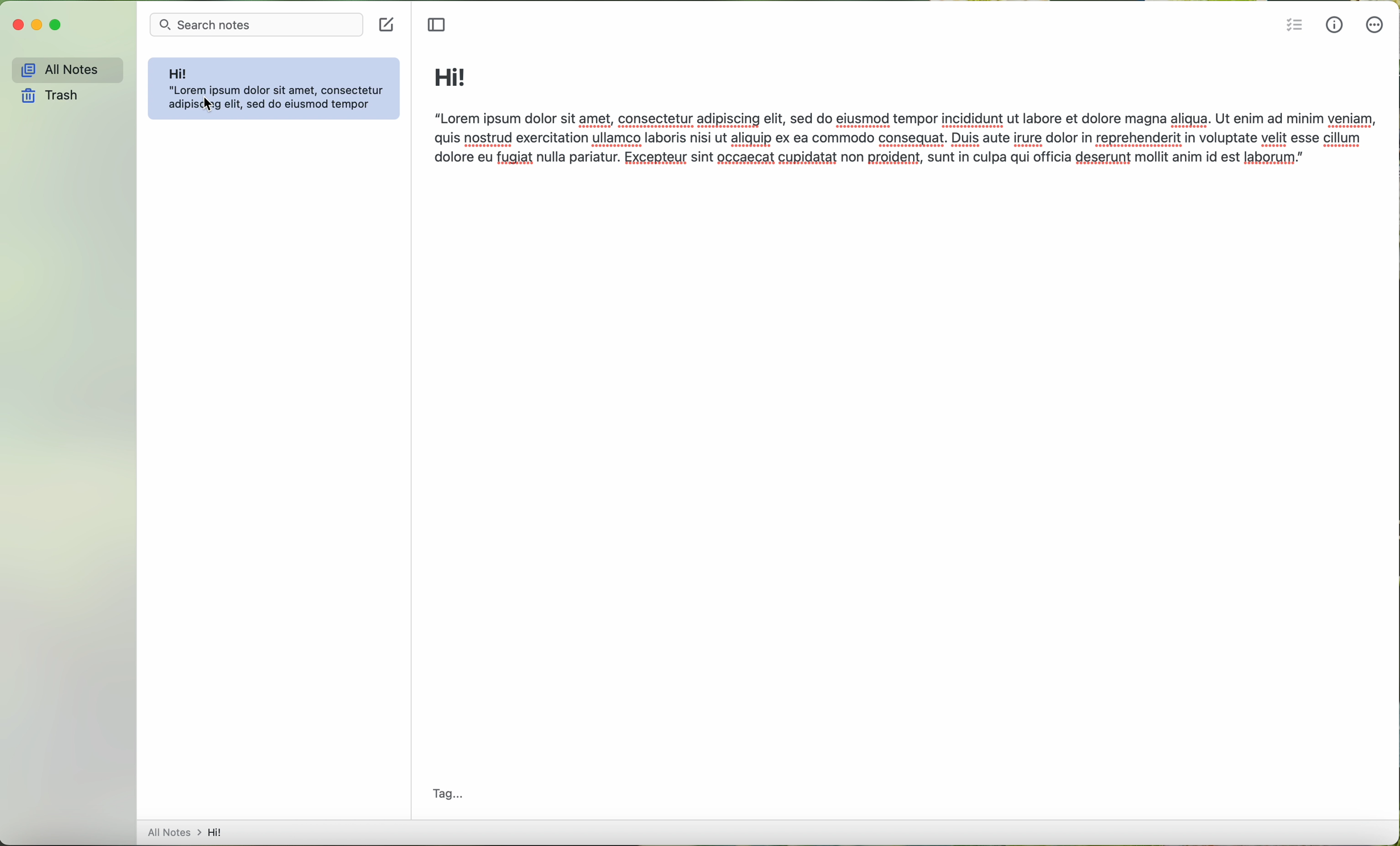 Image resolution: width=1400 pixels, height=846 pixels. I want to click on new note, so click(386, 26).